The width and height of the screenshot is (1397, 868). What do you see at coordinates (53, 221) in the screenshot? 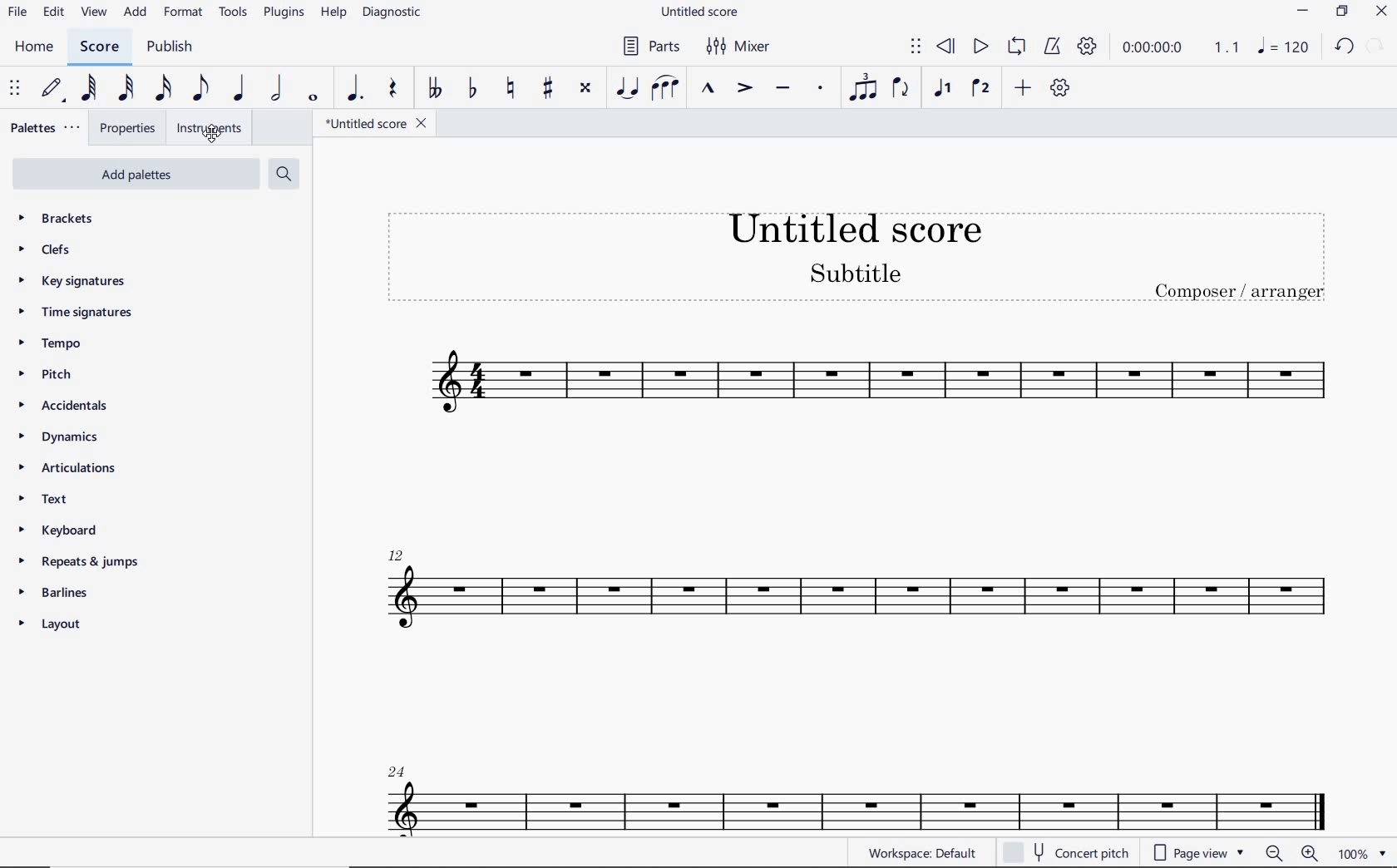
I see `brackets` at bounding box center [53, 221].